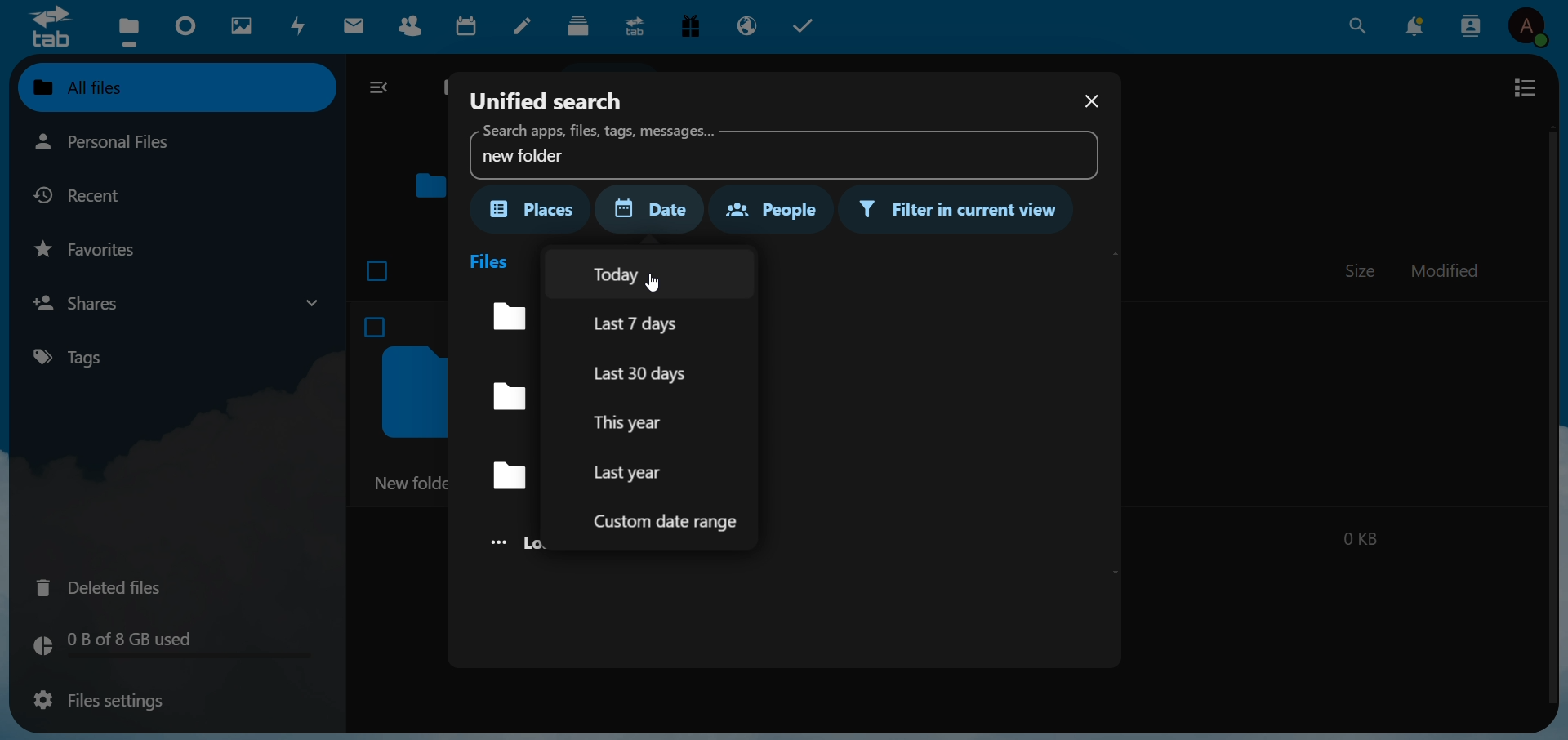 The height and width of the screenshot is (740, 1568). Describe the element at coordinates (695, 28) in the screenshot. I see `free trial` at that location.